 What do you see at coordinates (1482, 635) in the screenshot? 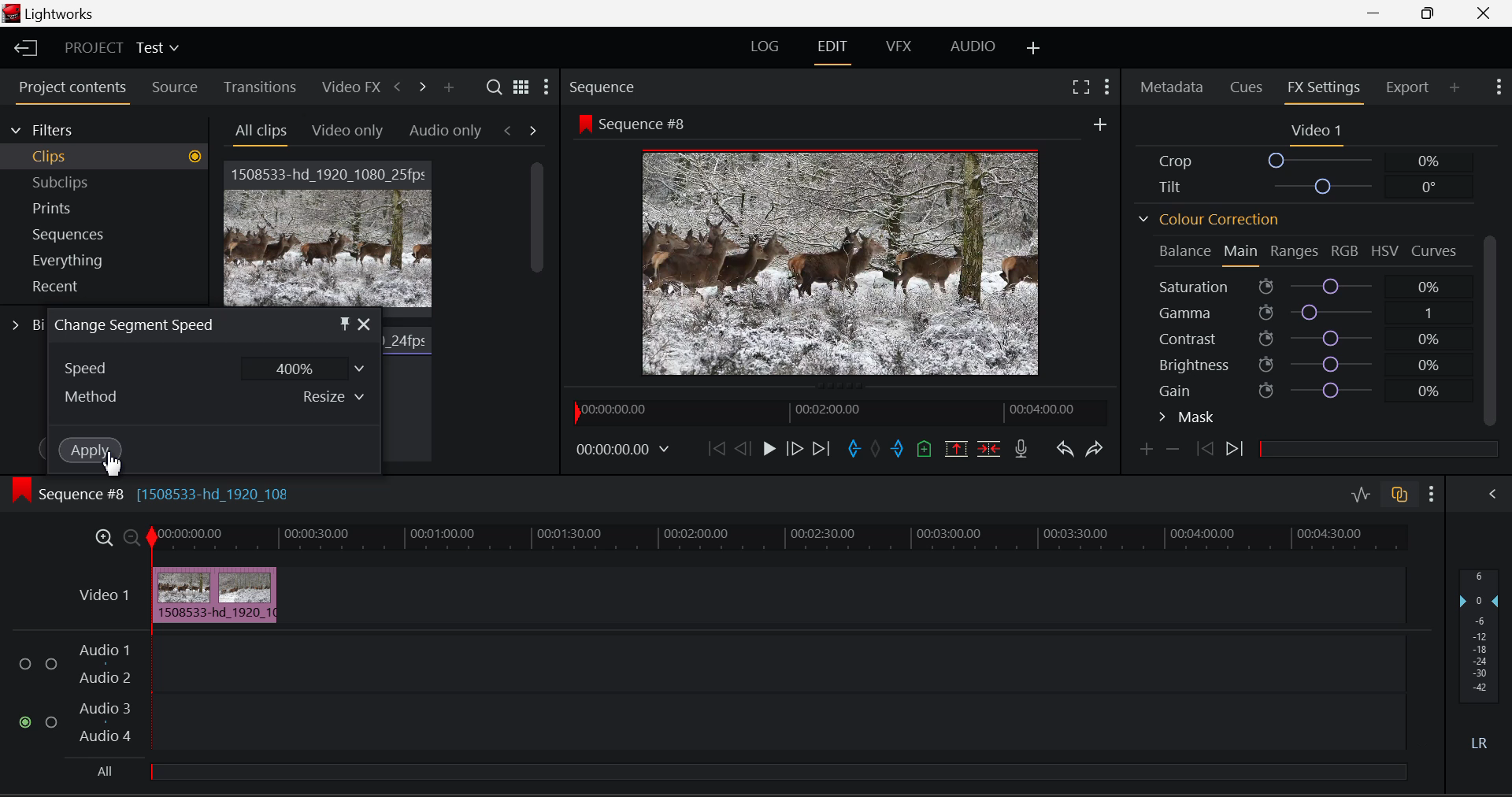
I see `Decibel Level` at bounding box center [1482, 635].